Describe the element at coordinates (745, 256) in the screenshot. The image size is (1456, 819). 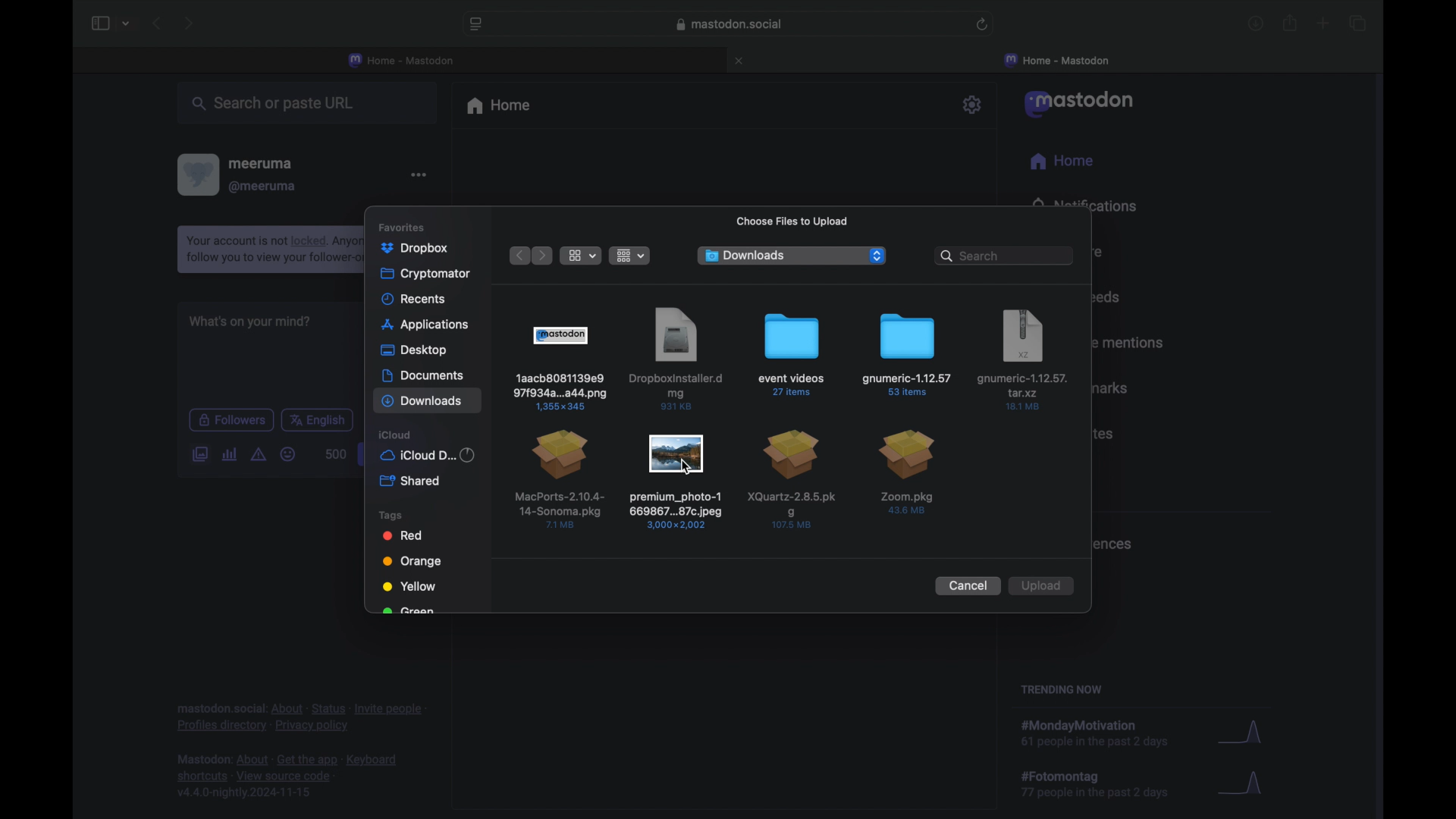
I see `downloads` at that location.